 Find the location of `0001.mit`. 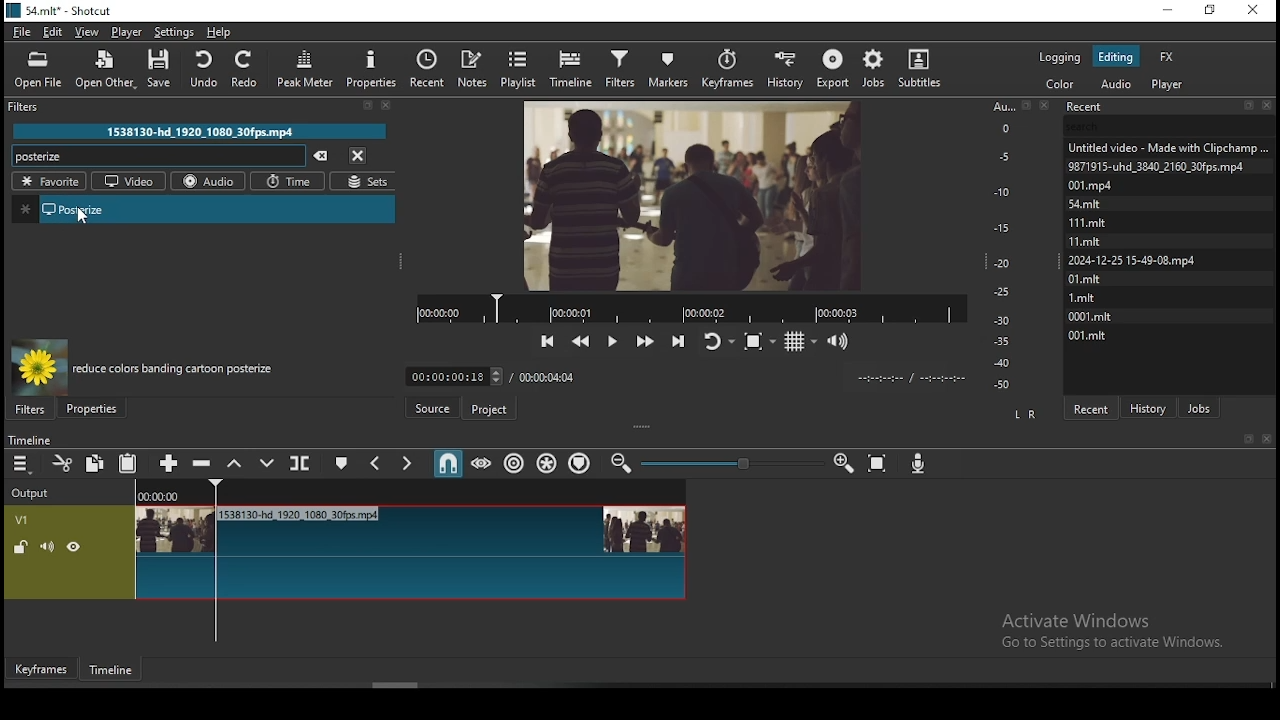

0001.mit is located at coordinates (1094, 315).